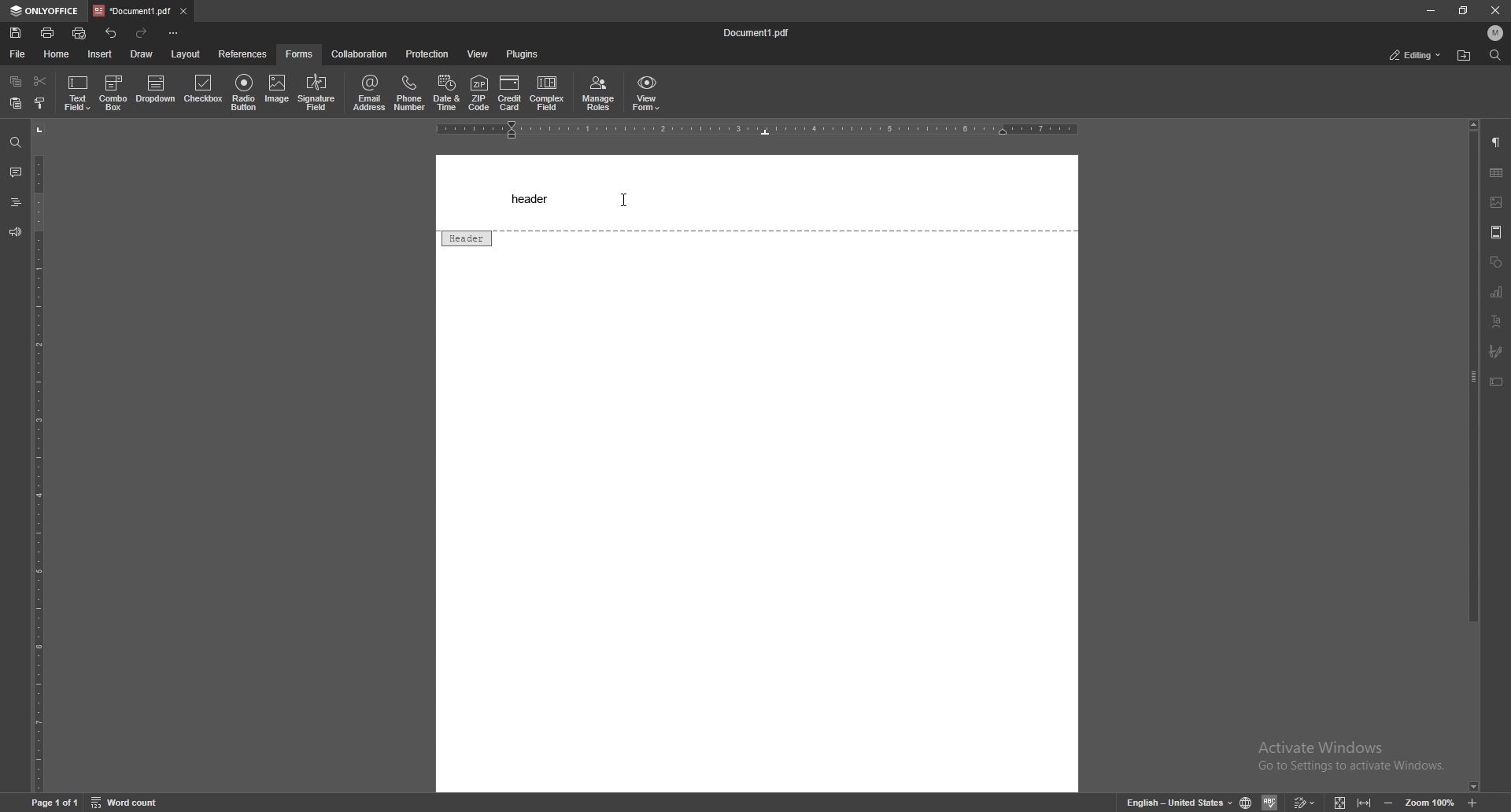  What do you see at coordinates (523, 54) in the screenshot?
I see `plugins` at bounding box center [523, 54].